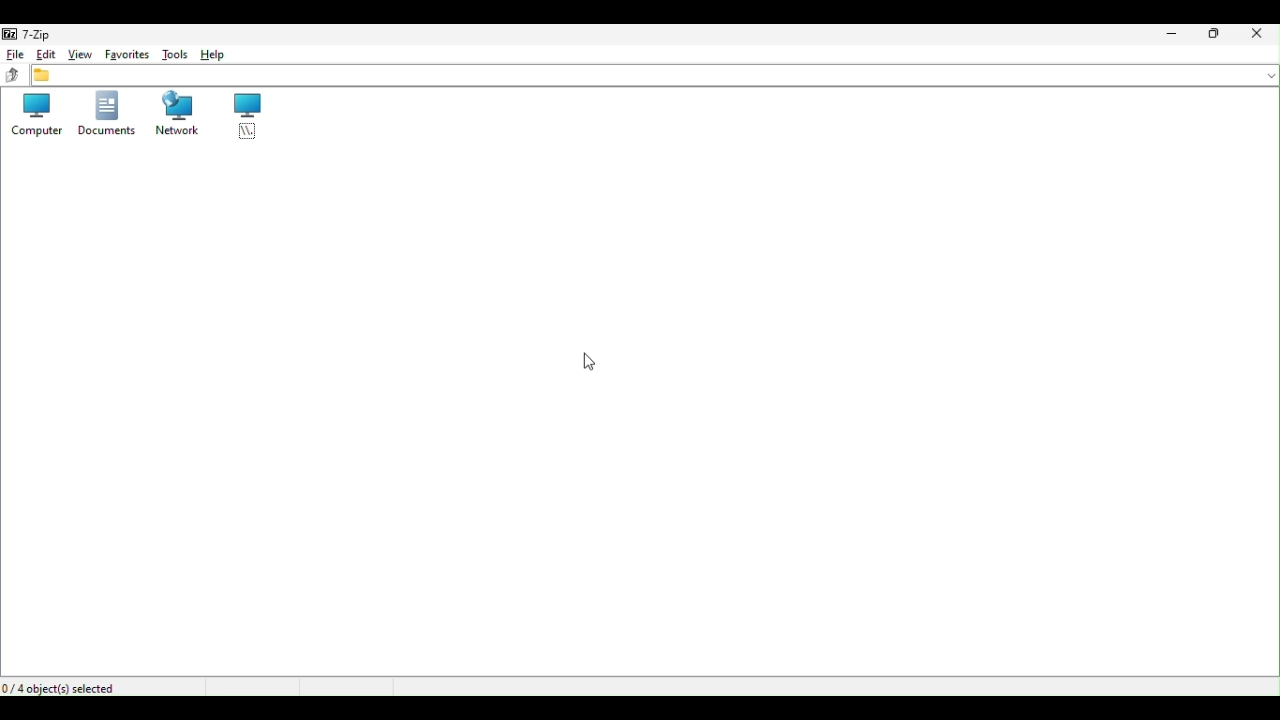  Describe the element at coordinates (126, 55) in the screenshot. I see `Favourite` at that location.